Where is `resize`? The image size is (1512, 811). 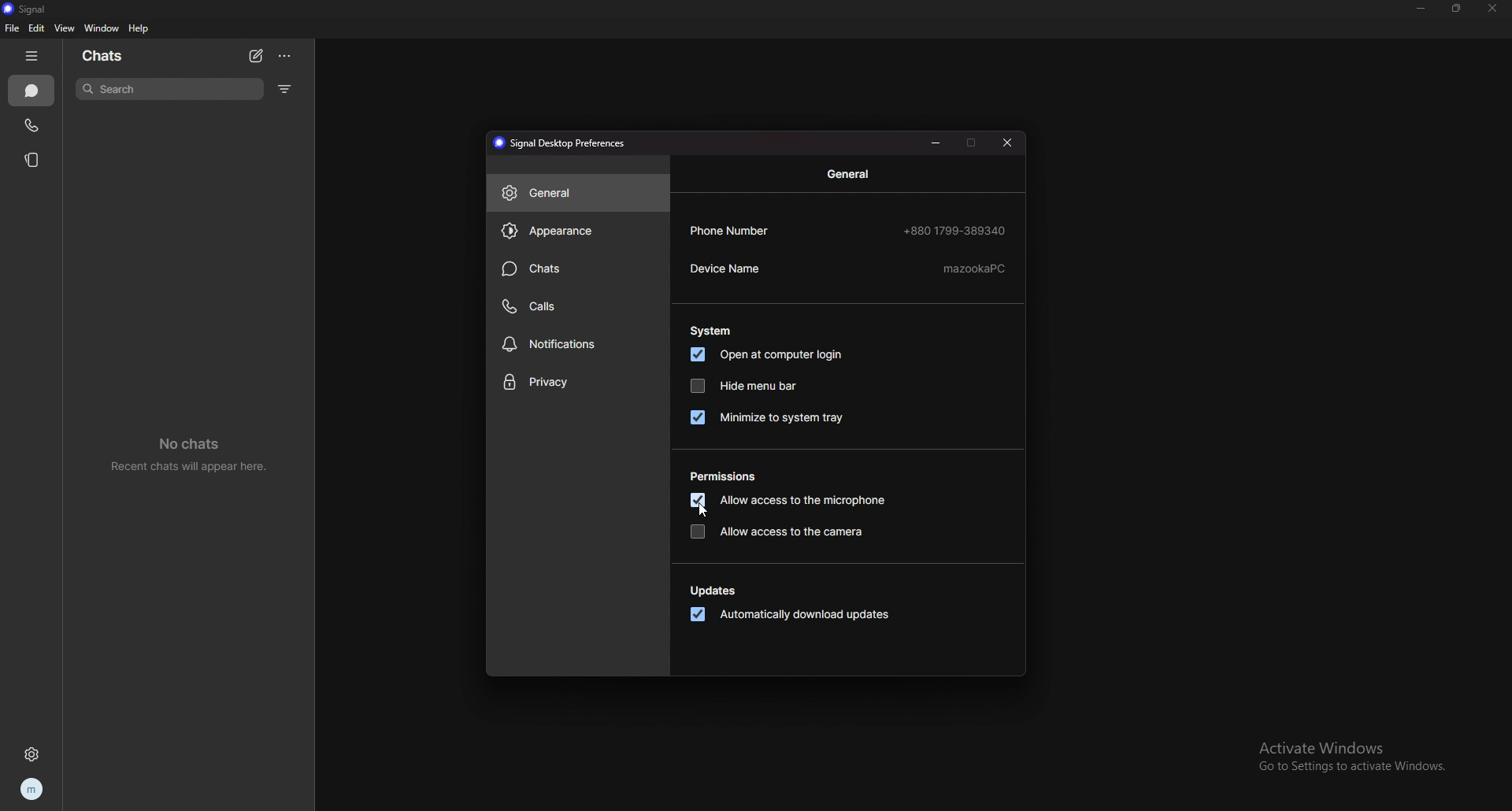
resize is located at coordinates (1457, 8).